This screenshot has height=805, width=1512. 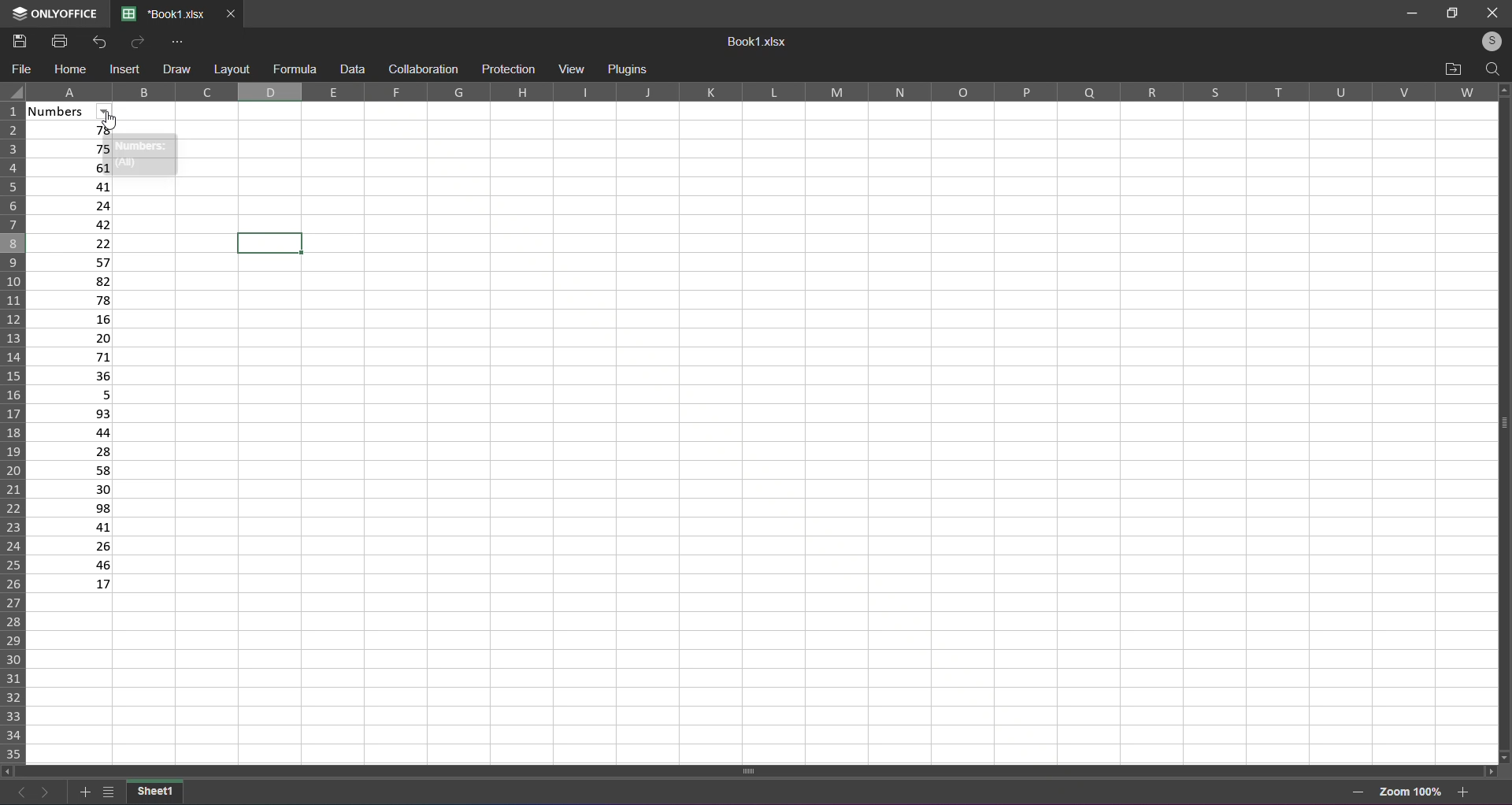 I want to click on Column Labels, so click(x=767, y=92).